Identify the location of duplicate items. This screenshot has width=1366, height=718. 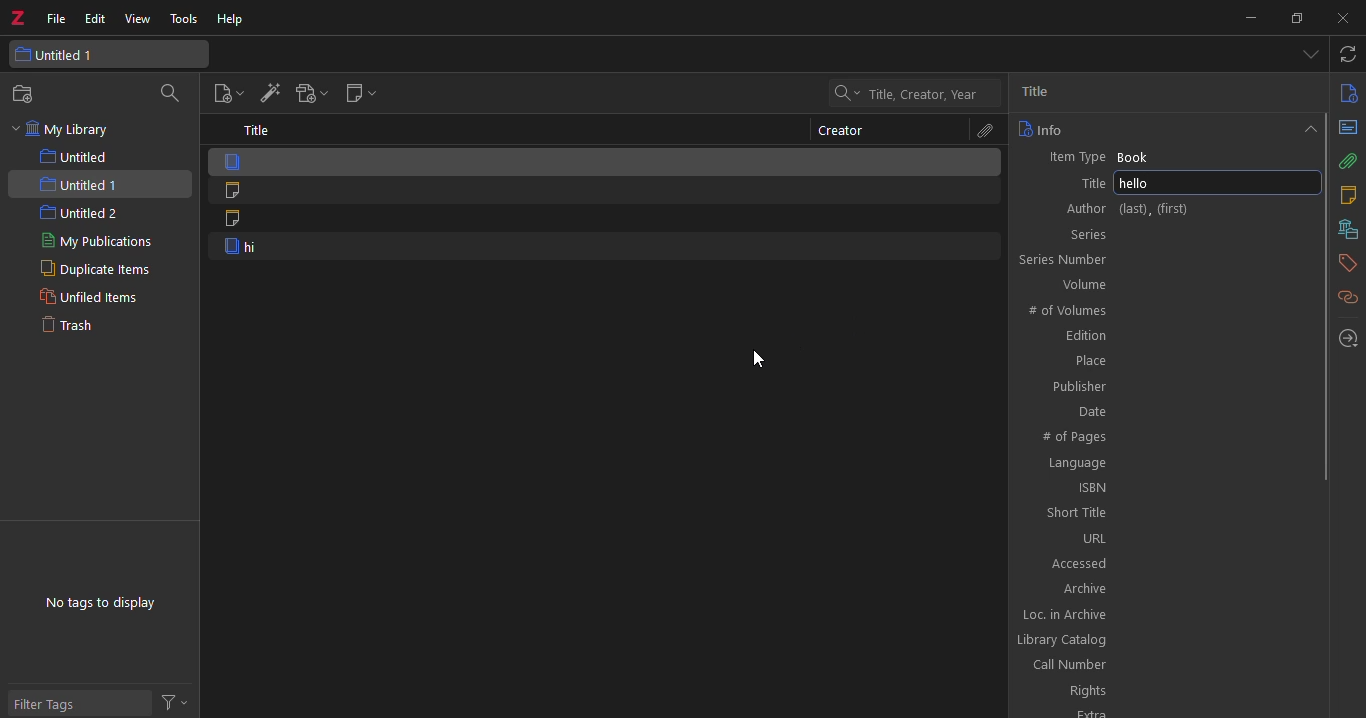
(101, 271).